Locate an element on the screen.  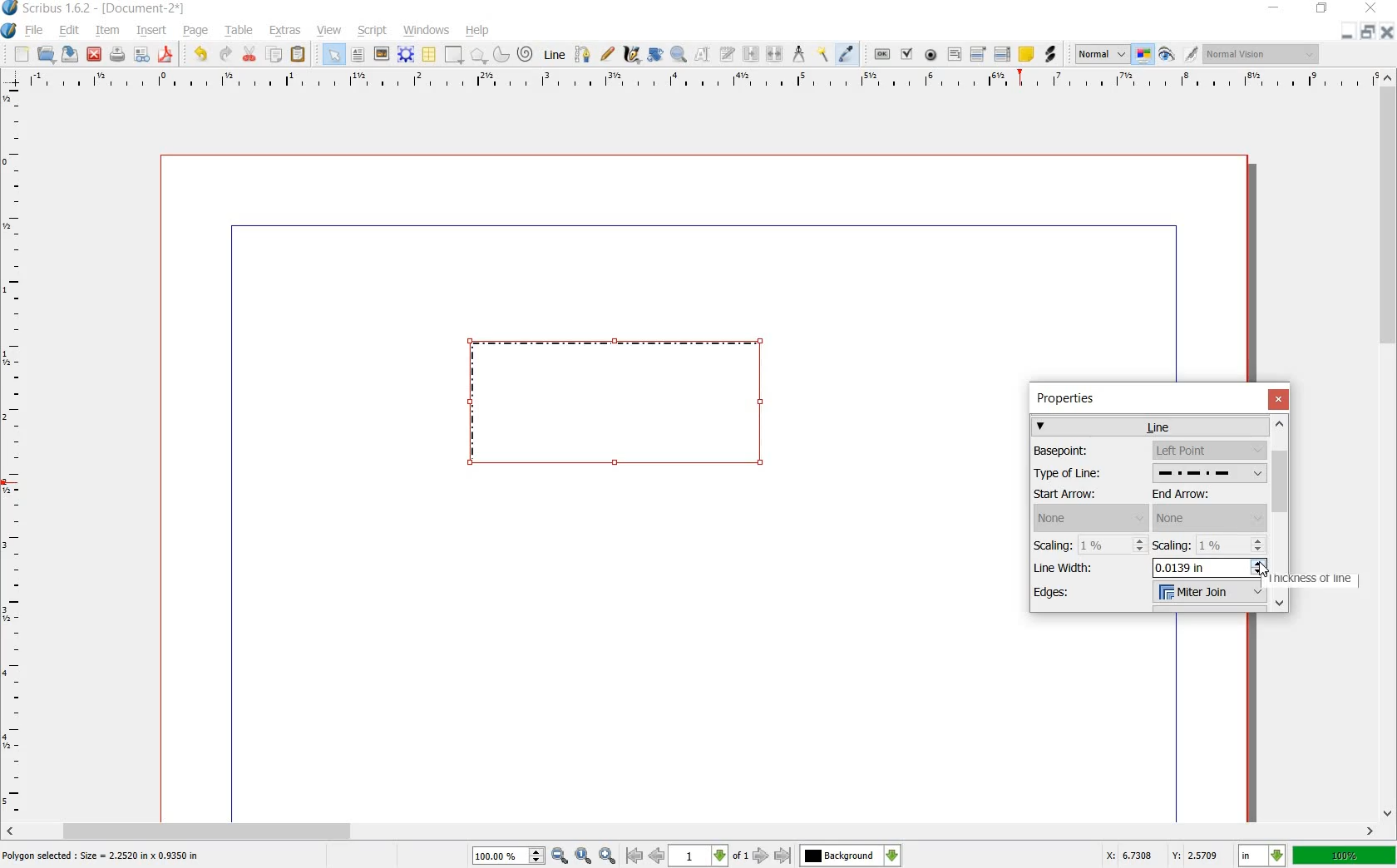
INSERT is located at coordinates (151, 31).